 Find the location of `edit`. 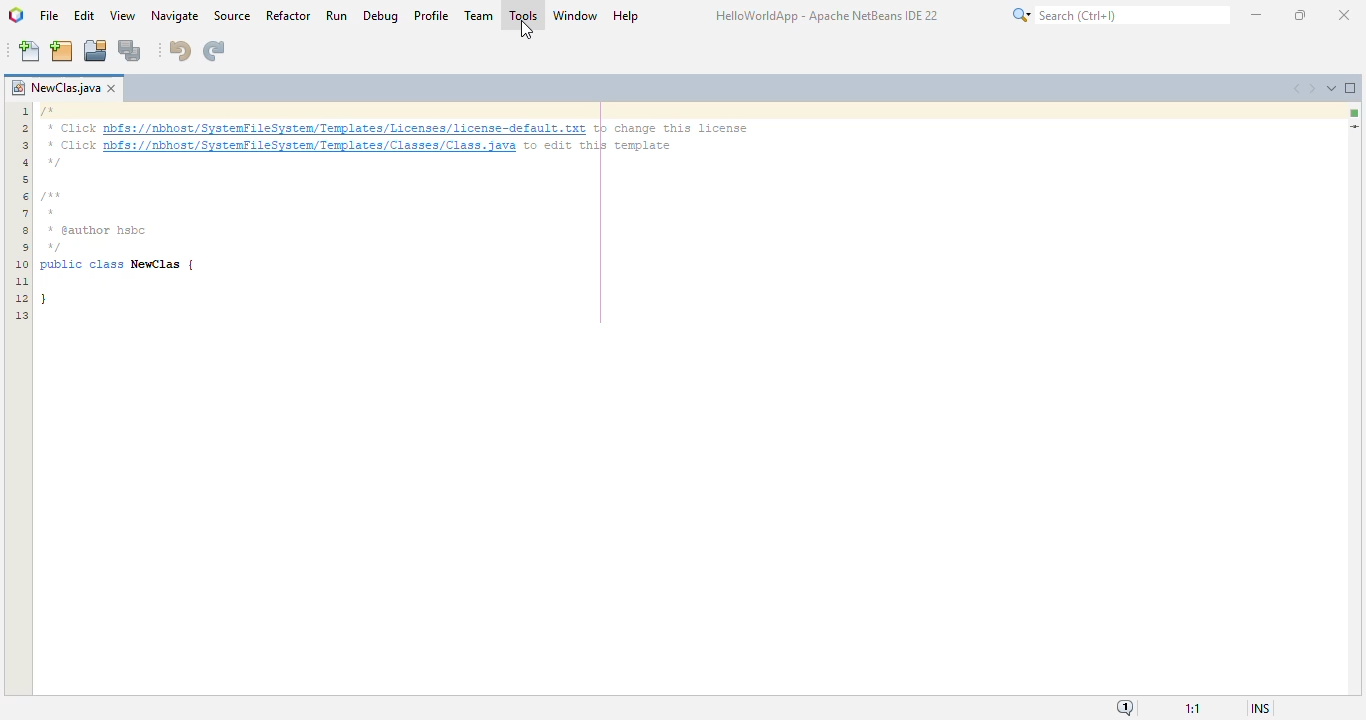

edit is located at coordinates (85, 16).